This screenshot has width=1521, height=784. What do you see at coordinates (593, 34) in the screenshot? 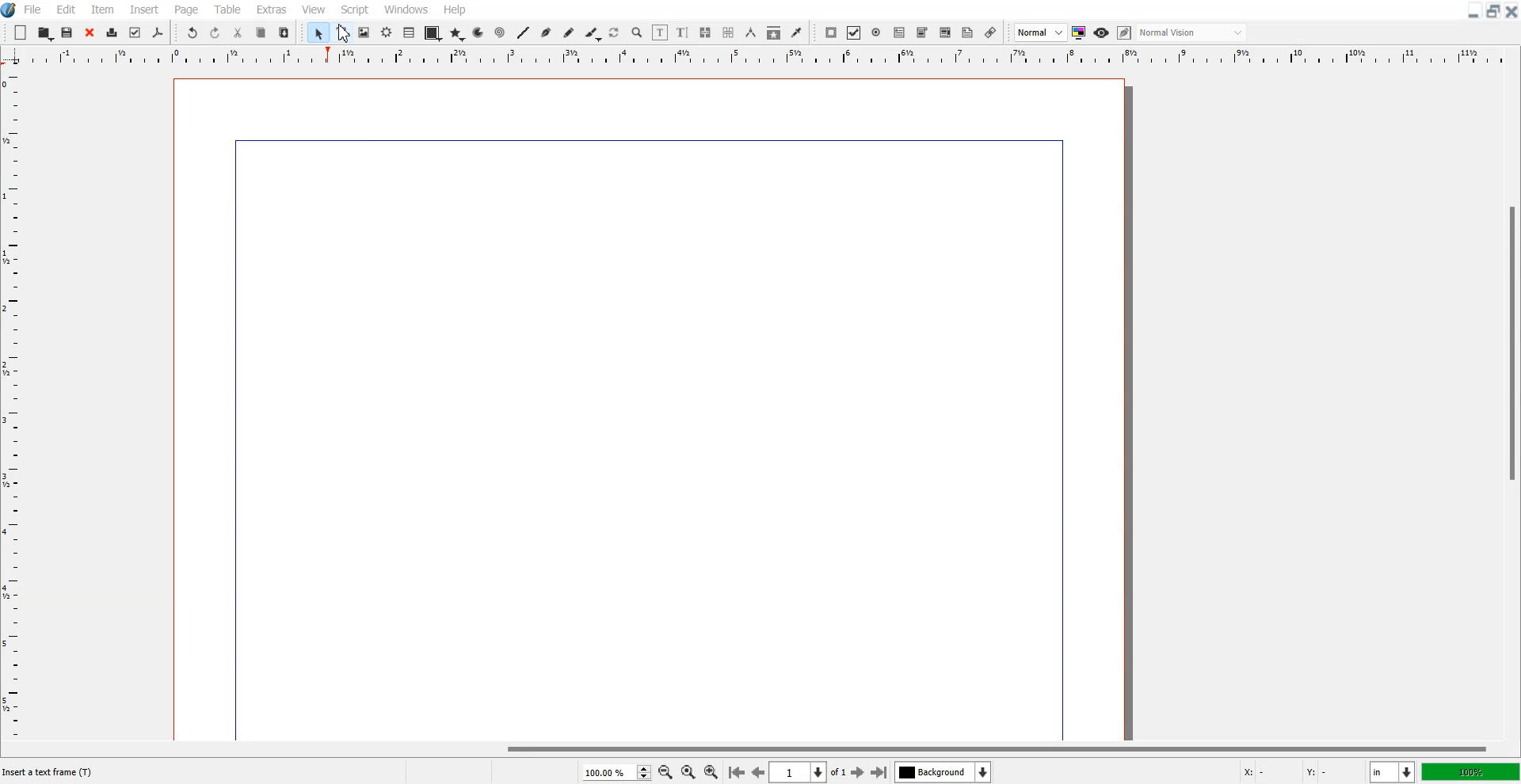
I see `Calligraphic line ` at bounding box center [593, 34].